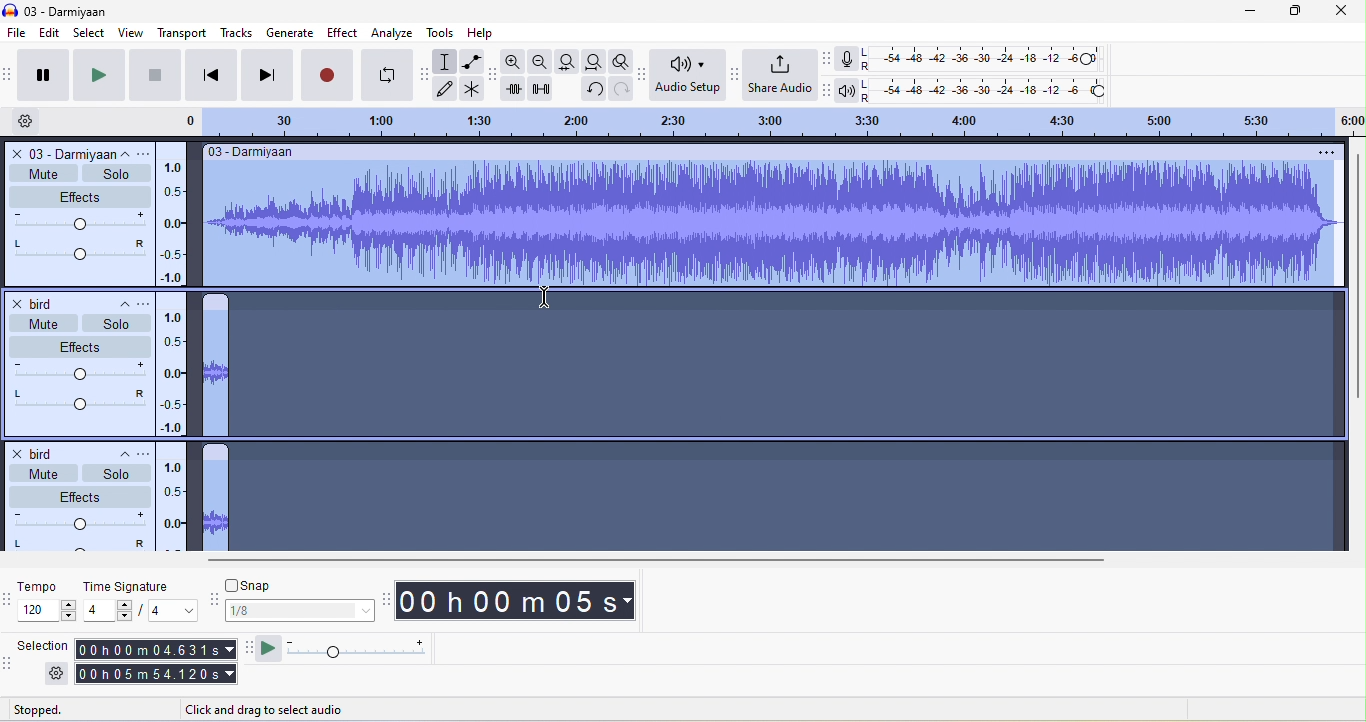 The width and height of the screenshot is (1366, 722). What do you see at coordinates (736, 75) in the screenshot?
I see `audacity share audio` at bounding box center [736, 75].